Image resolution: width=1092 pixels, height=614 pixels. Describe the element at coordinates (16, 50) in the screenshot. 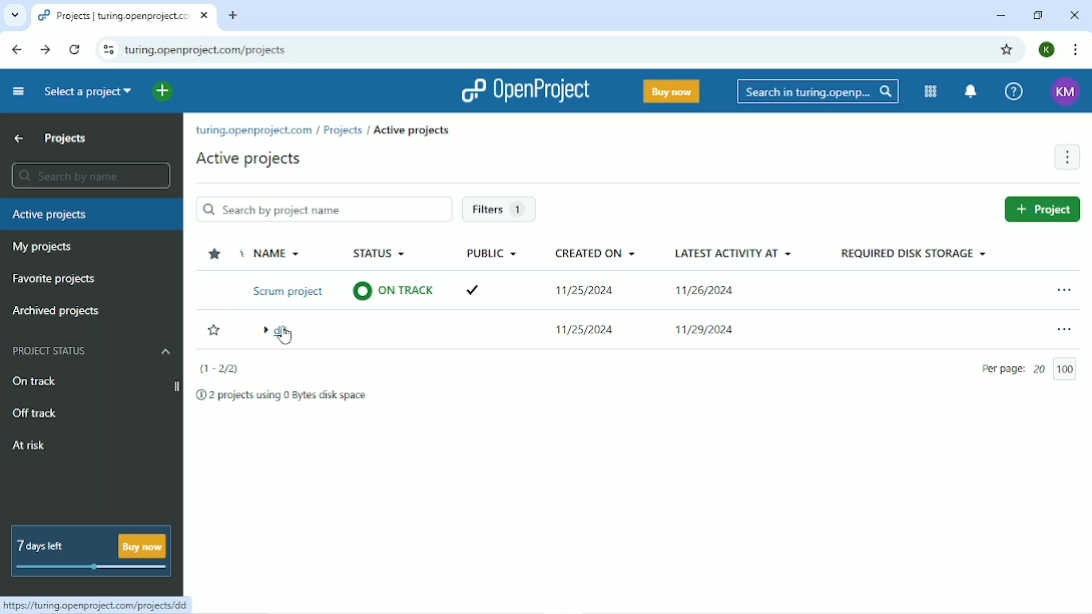

I see `Back` at that location.